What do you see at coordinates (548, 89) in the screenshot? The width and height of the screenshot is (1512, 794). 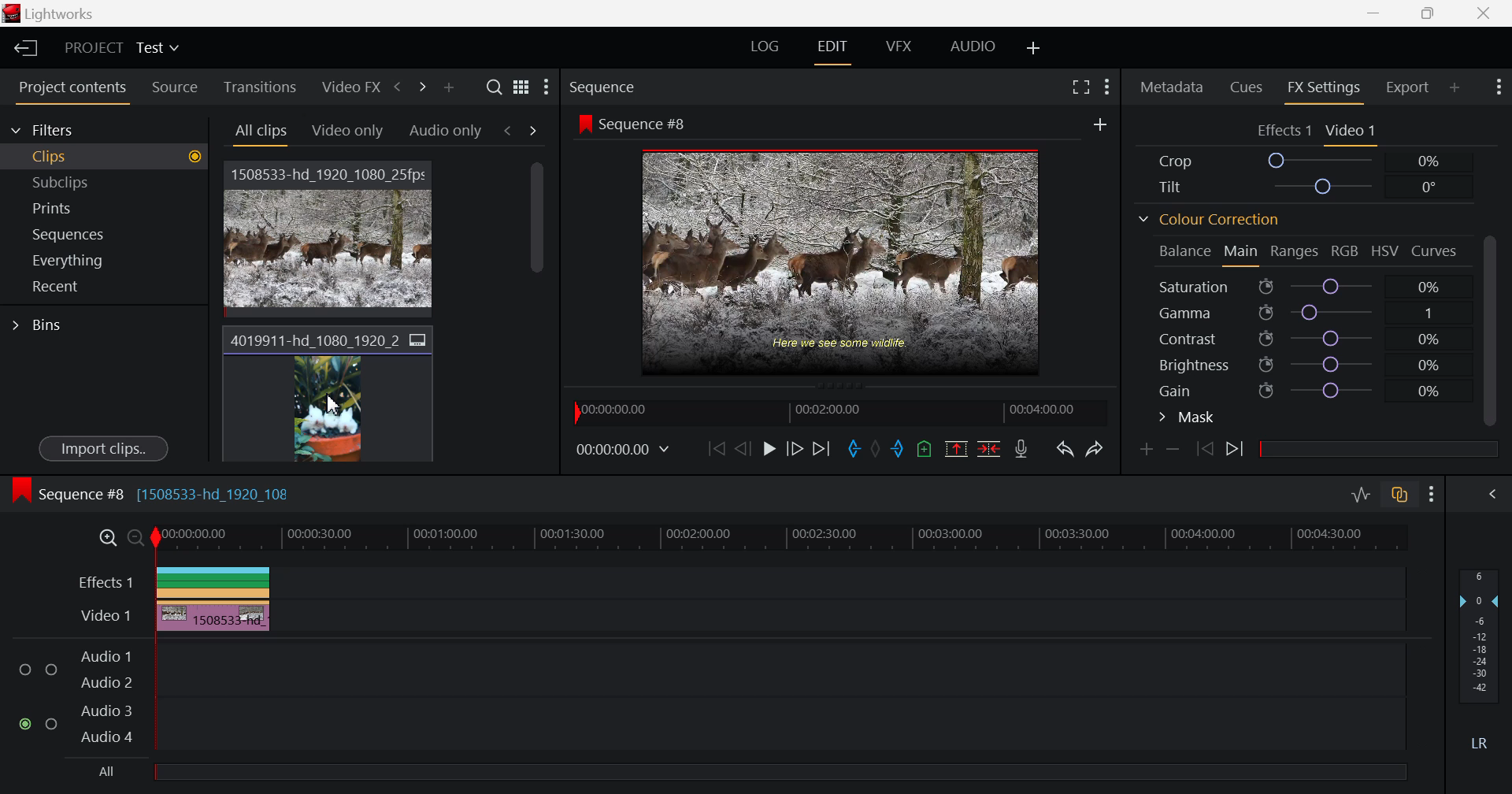 I see `Show Settings` at bounding box center [548, 89].